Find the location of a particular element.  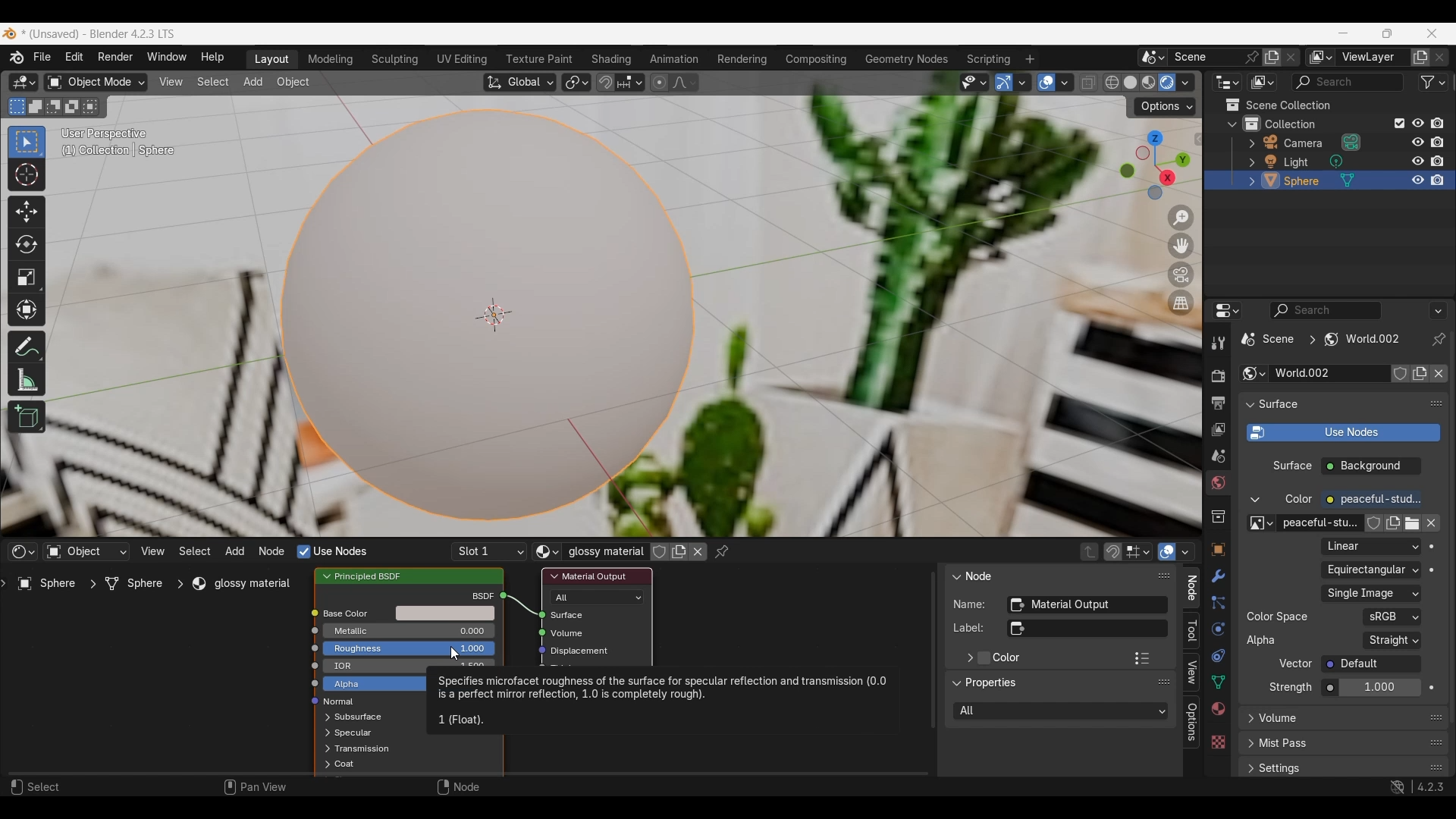

expand respective scenes is located at coordinates (1248, 769).